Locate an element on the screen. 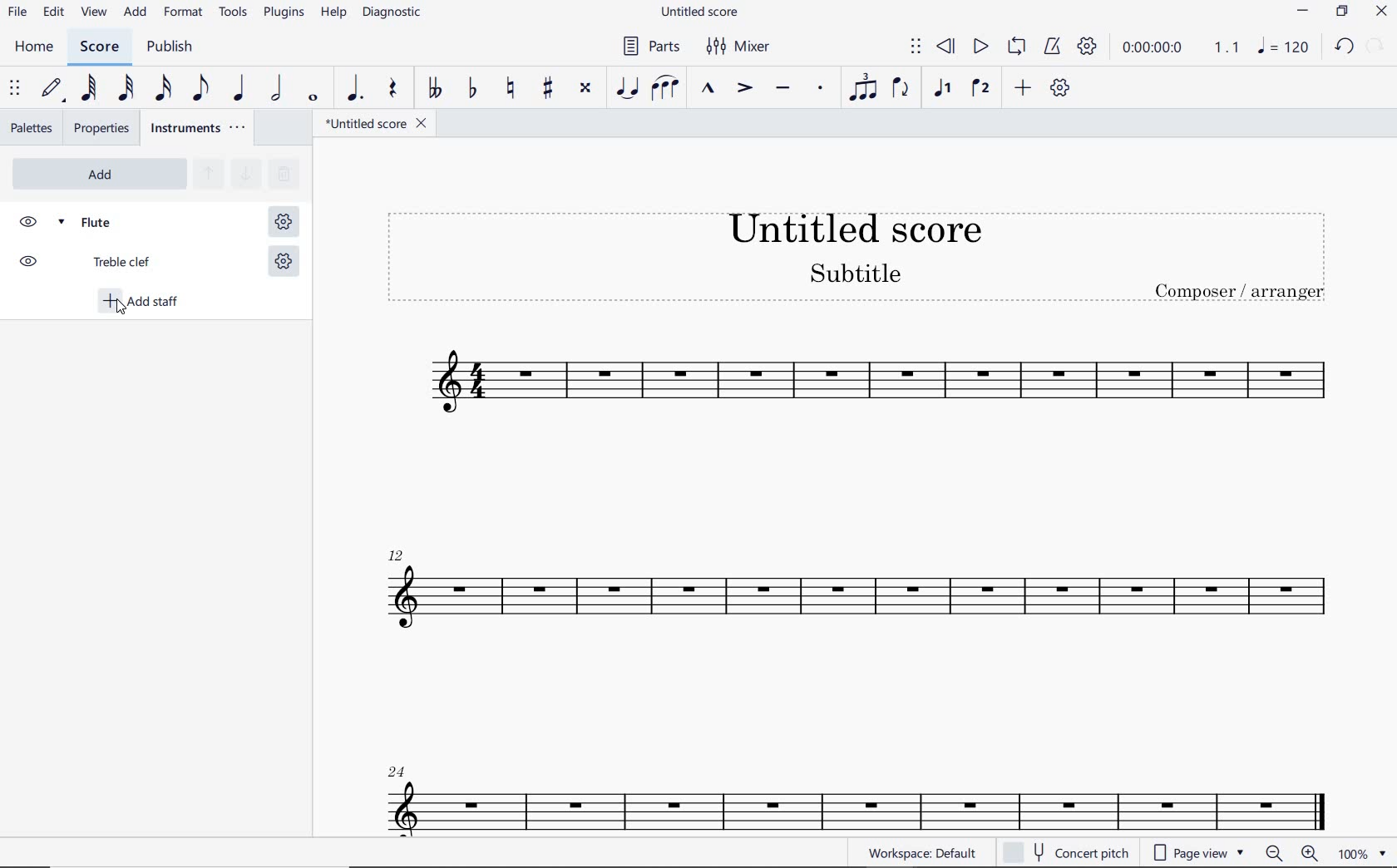  score is located at coordinates (100, 47).